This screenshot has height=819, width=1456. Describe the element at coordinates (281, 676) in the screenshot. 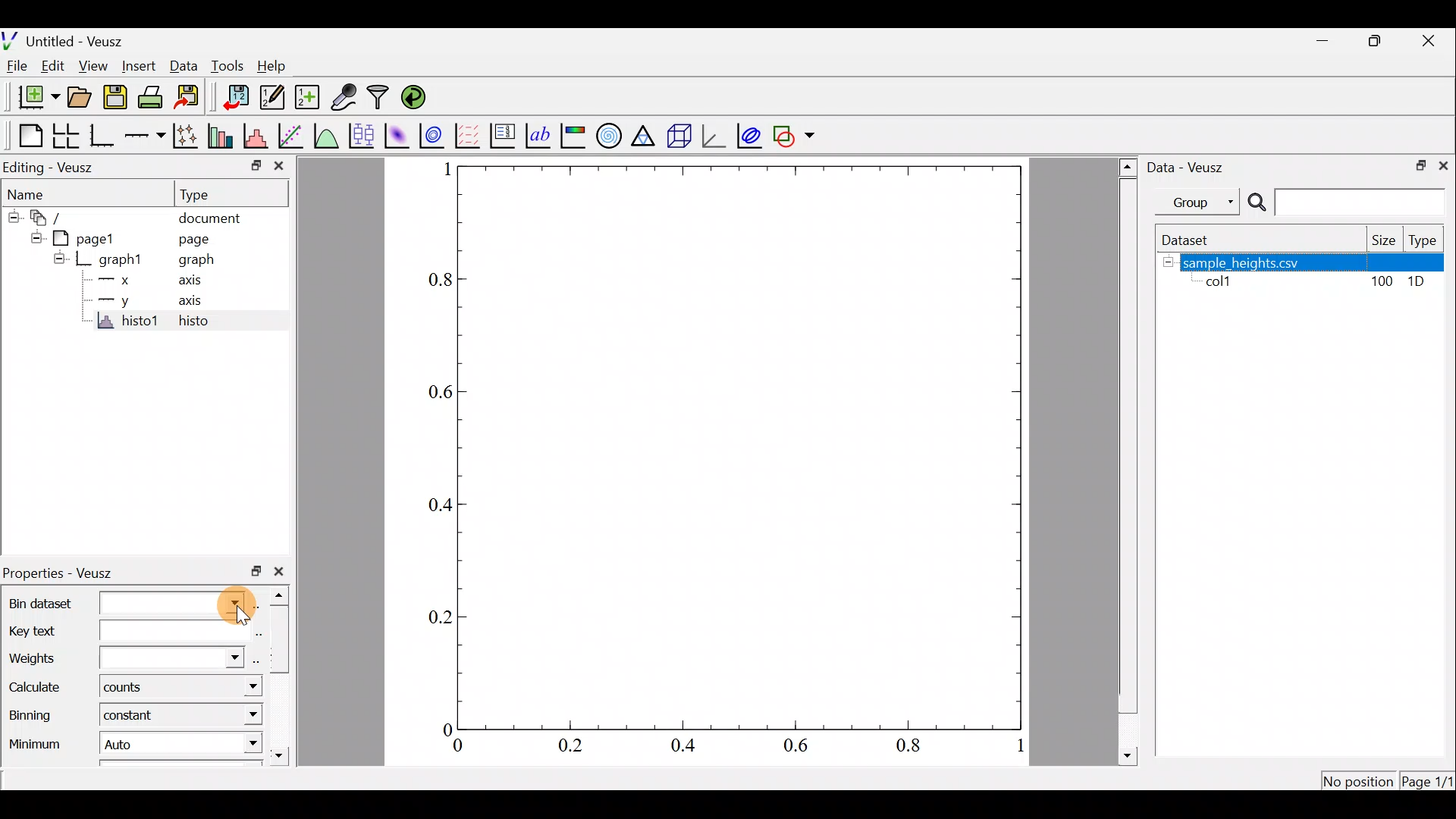

I see `scroll bar` at that location.